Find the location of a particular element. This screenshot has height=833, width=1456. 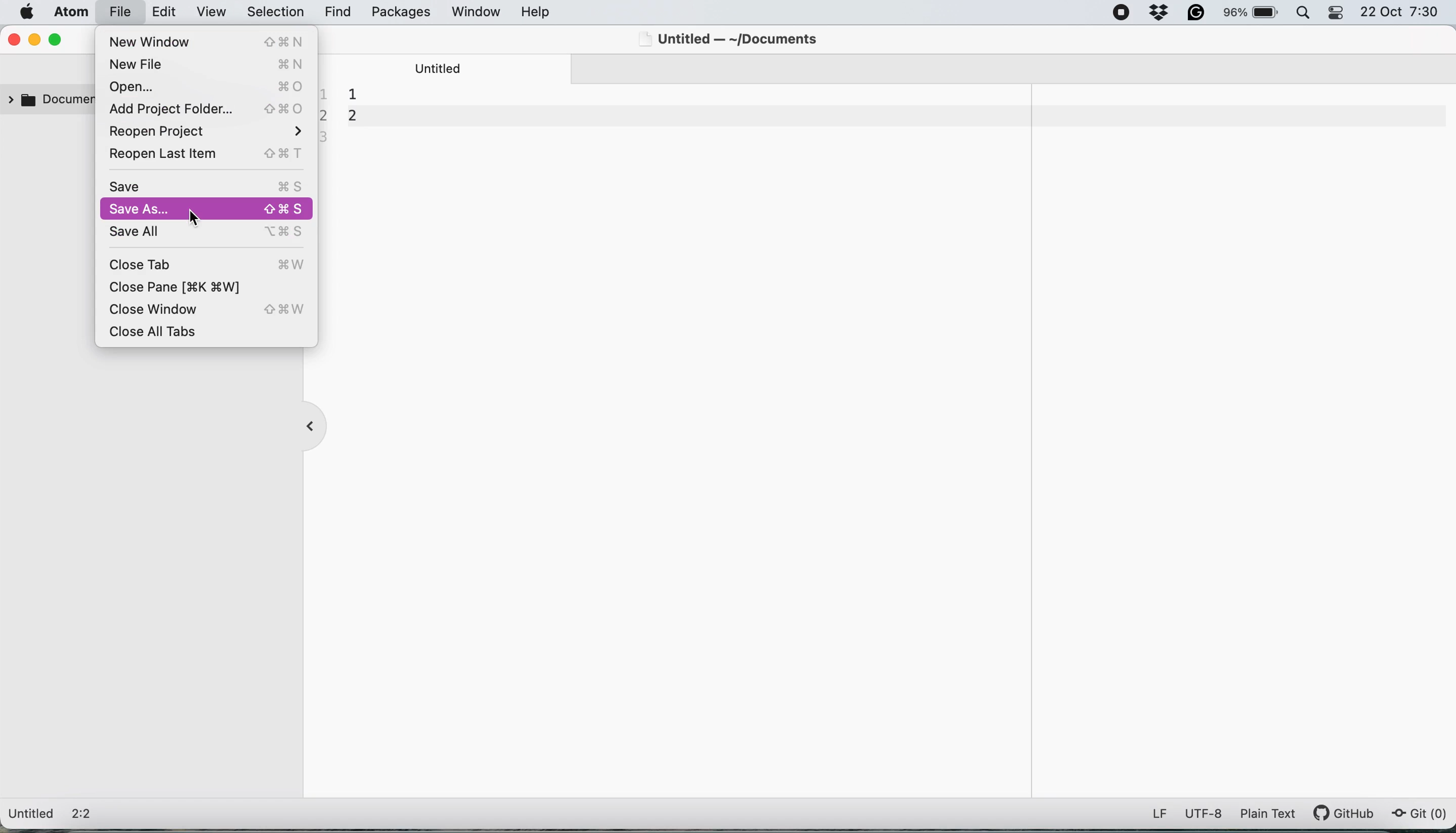

document contents is located at coordinates (356, 114).